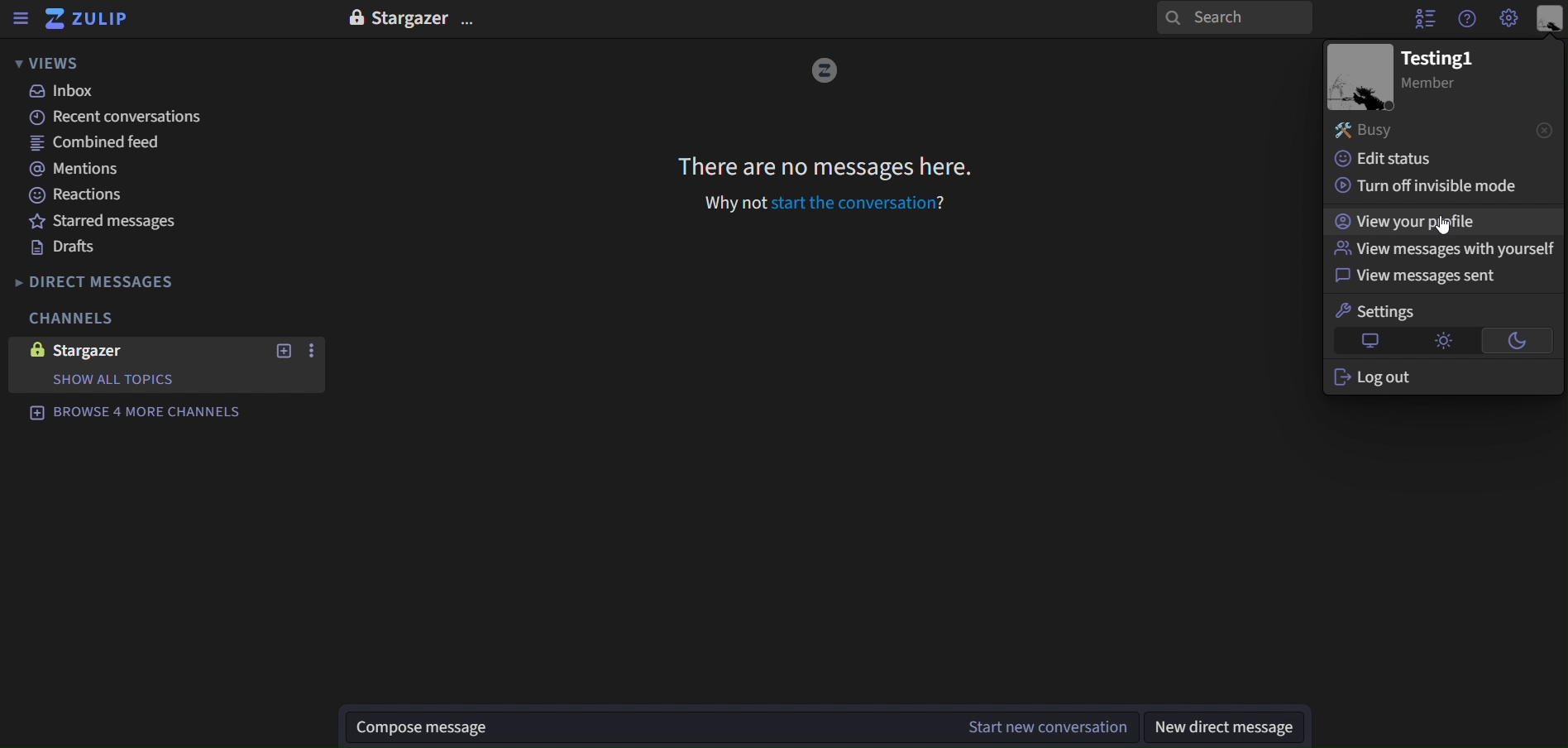  Describe the element at coordinates (140, 414) in the screenshot. I see `browse 4 more channels` at that location.